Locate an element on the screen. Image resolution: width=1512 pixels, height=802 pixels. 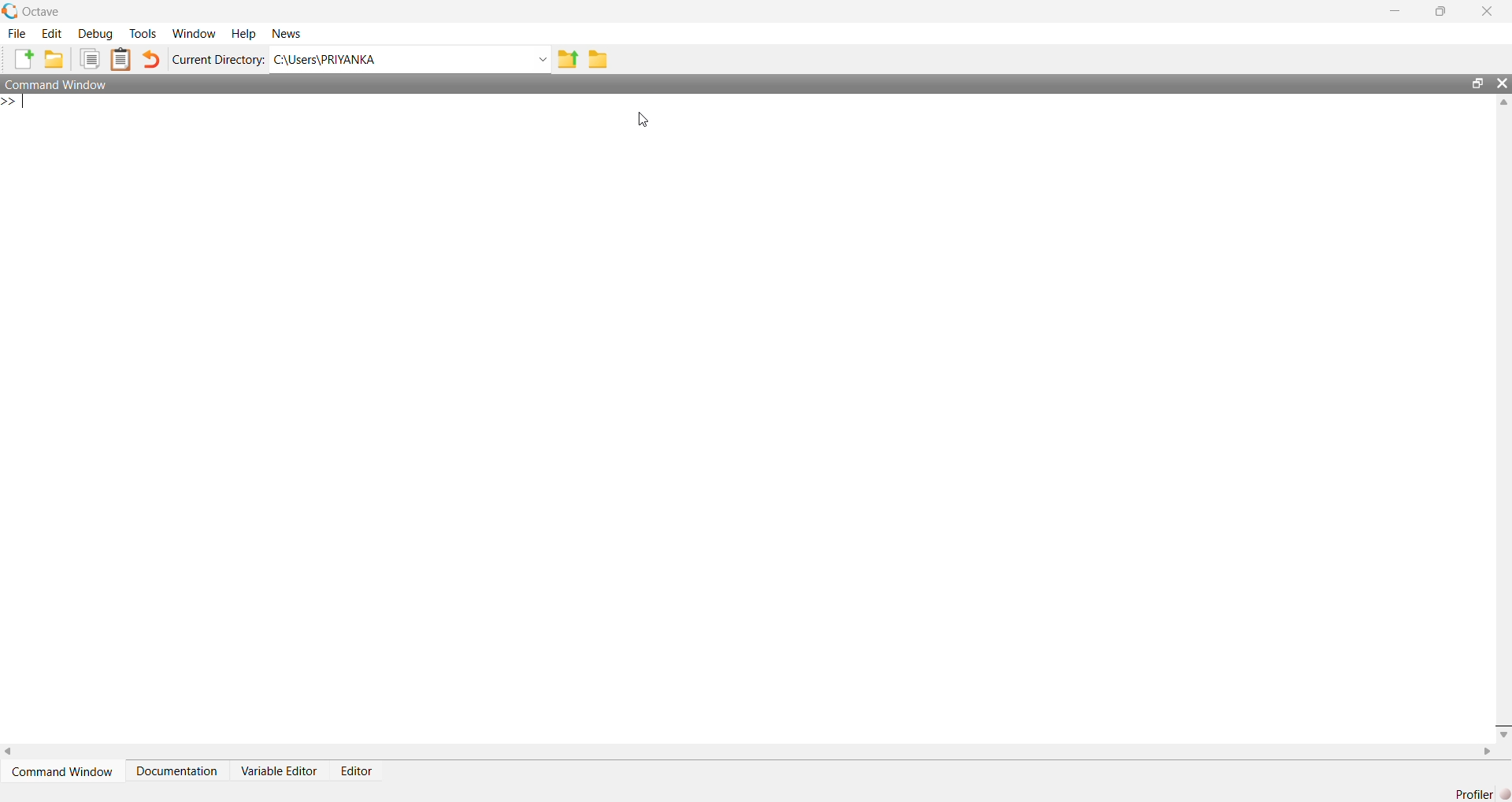
Octave is located at coordinates (42, 11).